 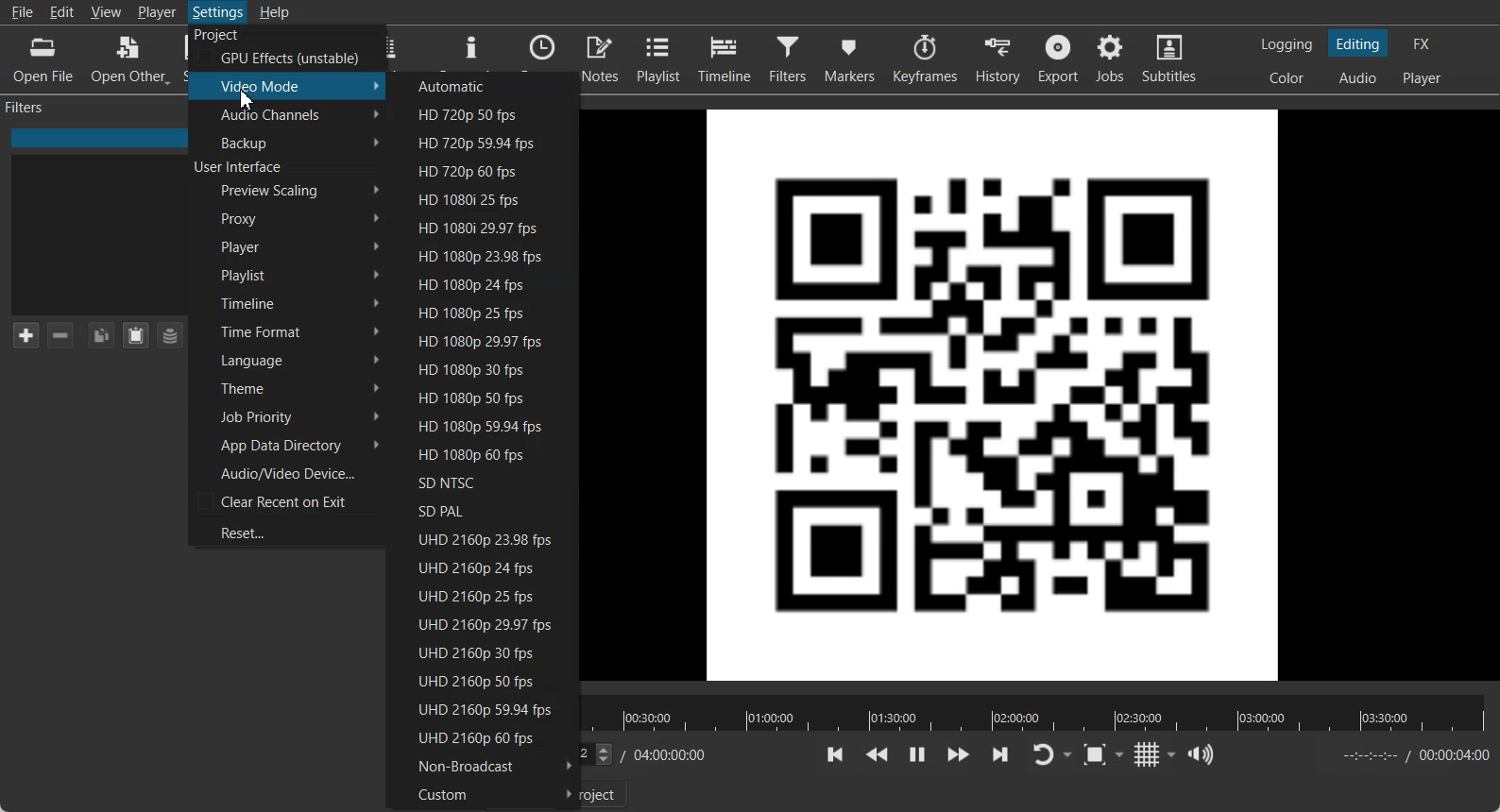 I want to click on Notes, so click(x=601, y=58).